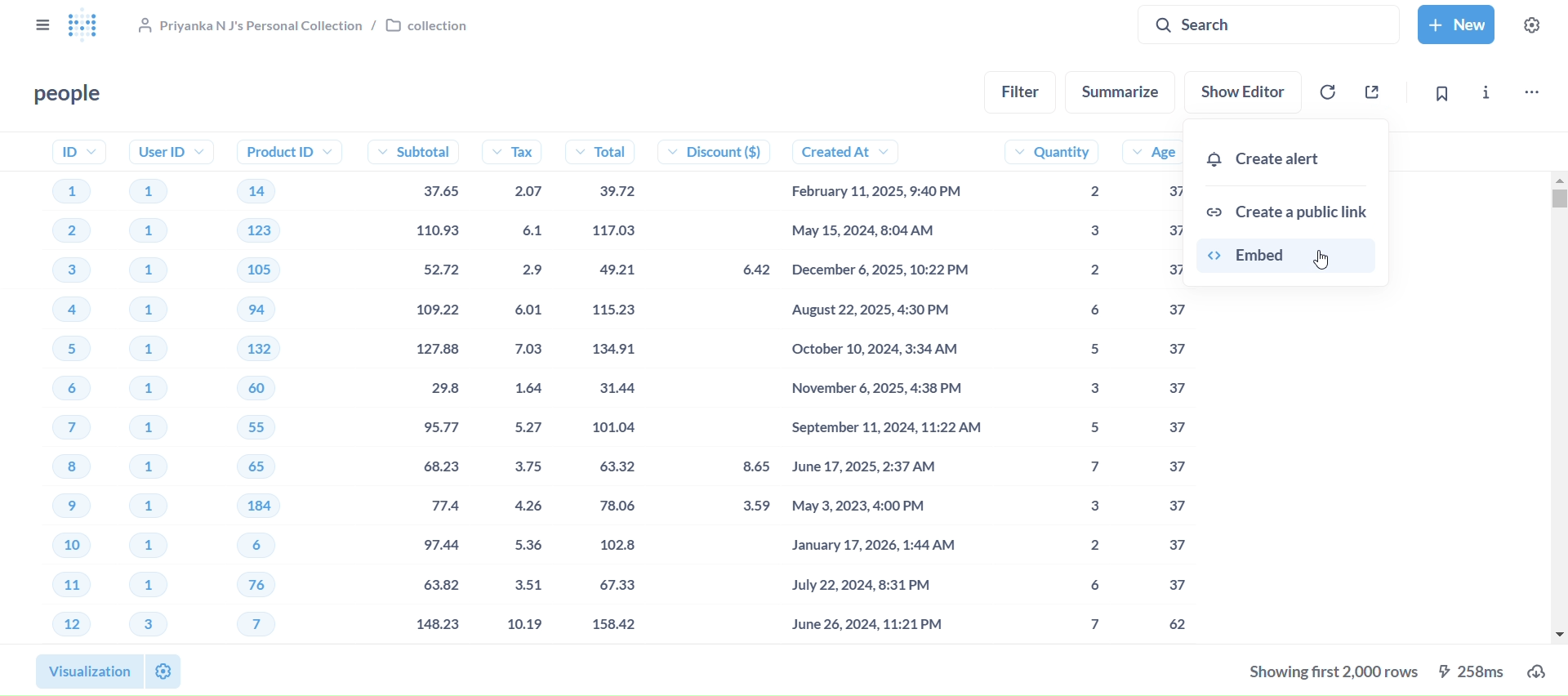  I want to click on Id's, so click(62, 388).